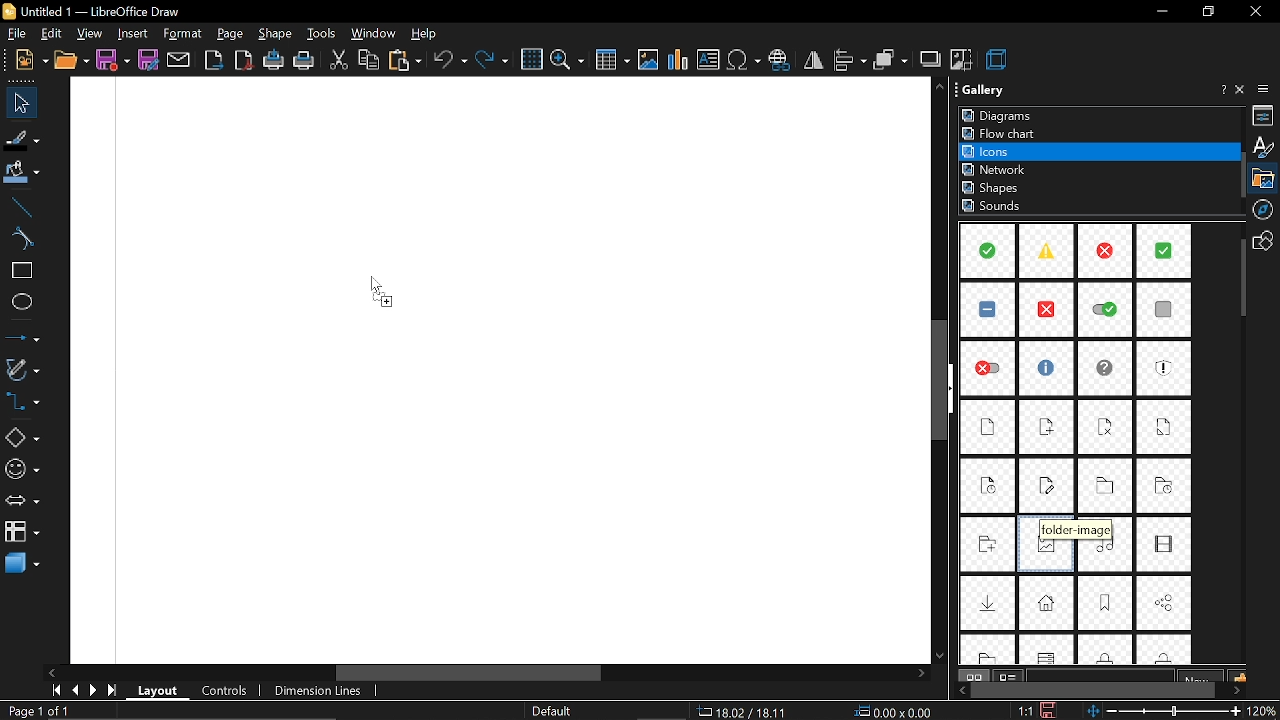 Image resolution: width=1280 pixels, height=720 pixels. Describe the element at coordinates (1265, 116) in the screenshot. I see `properties` at that location.